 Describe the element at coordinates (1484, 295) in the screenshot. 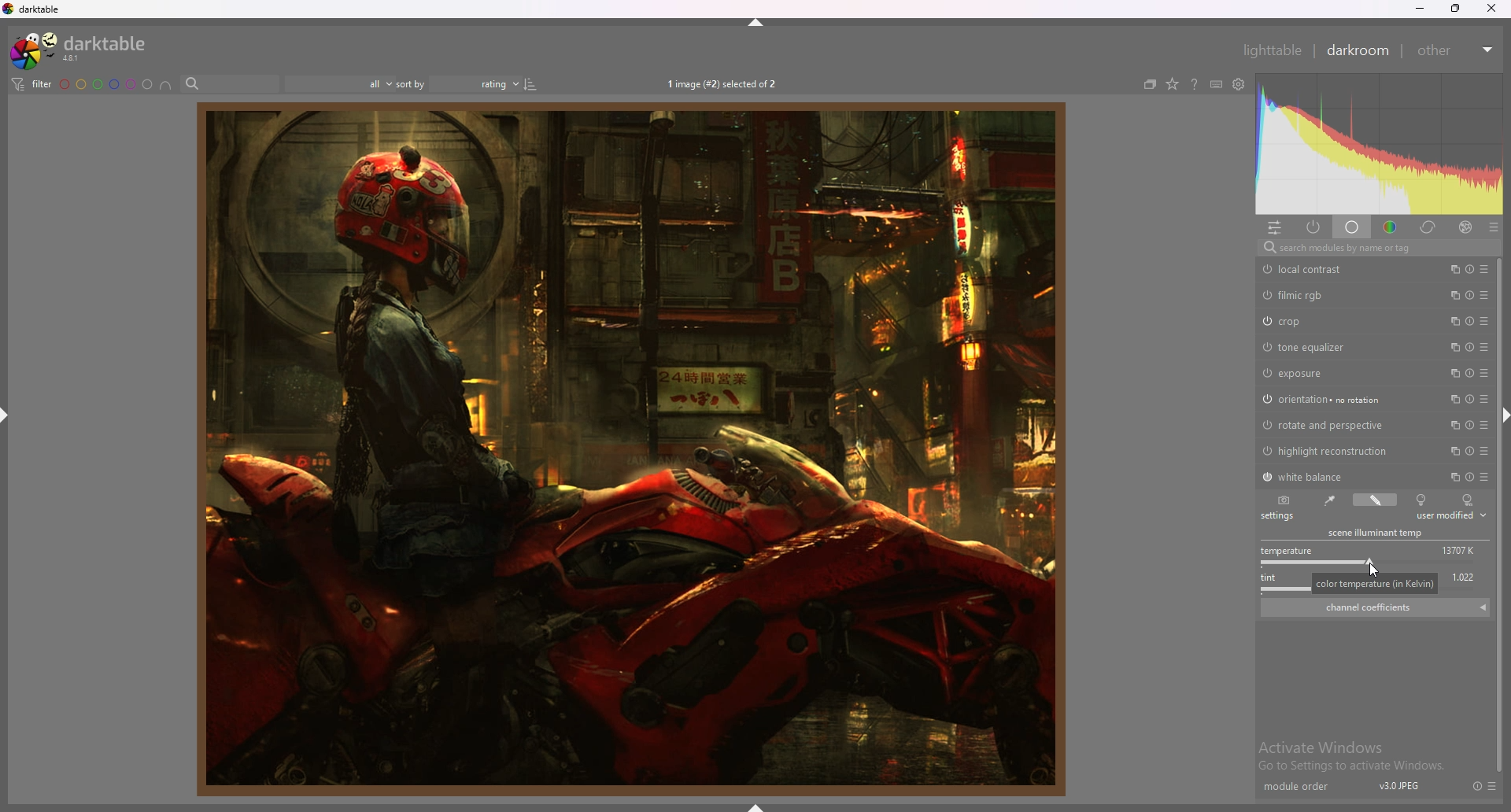

I see `presets` at that location.